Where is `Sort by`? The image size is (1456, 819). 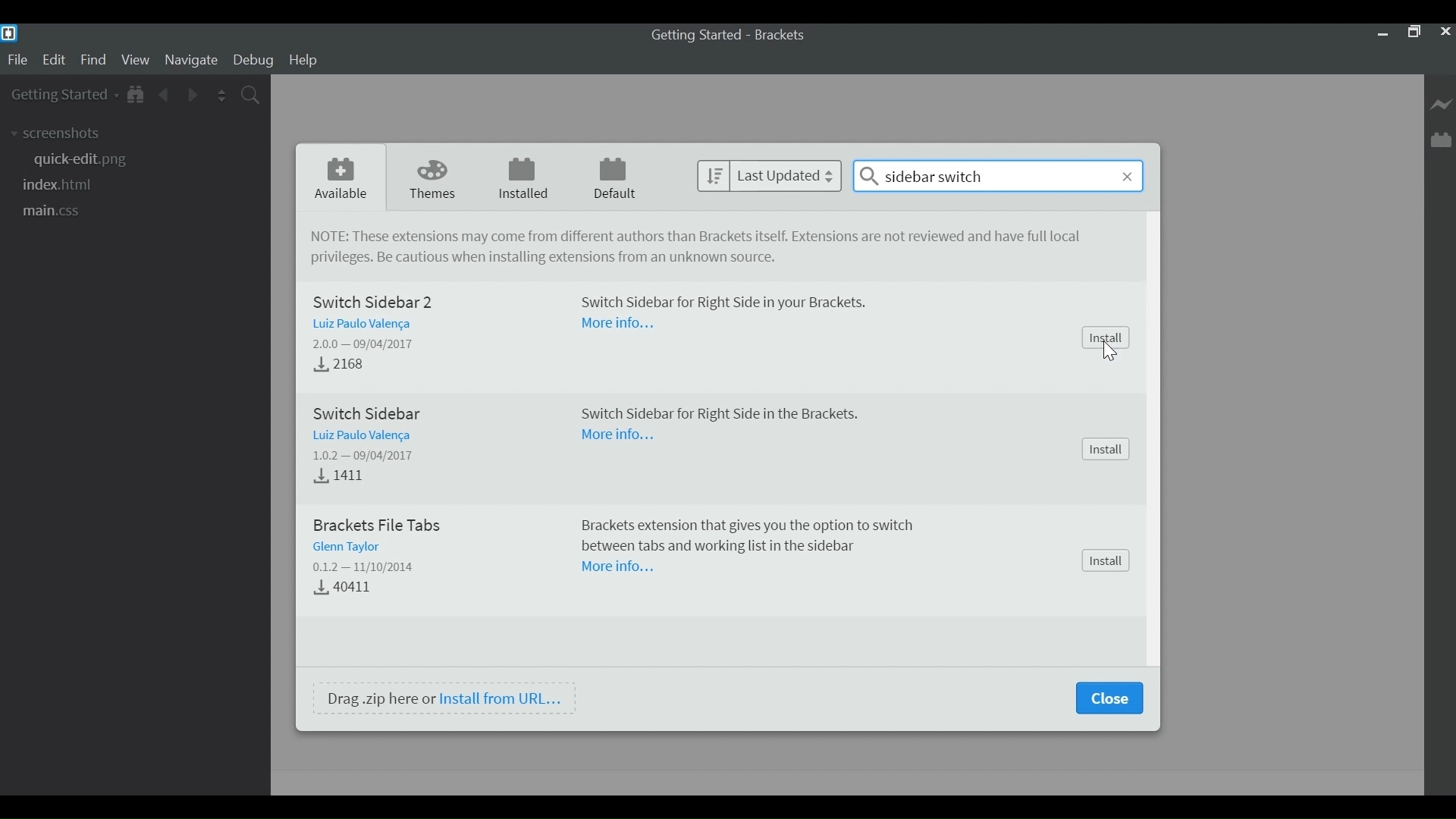 Sort by is located at coordinates (770, 174).